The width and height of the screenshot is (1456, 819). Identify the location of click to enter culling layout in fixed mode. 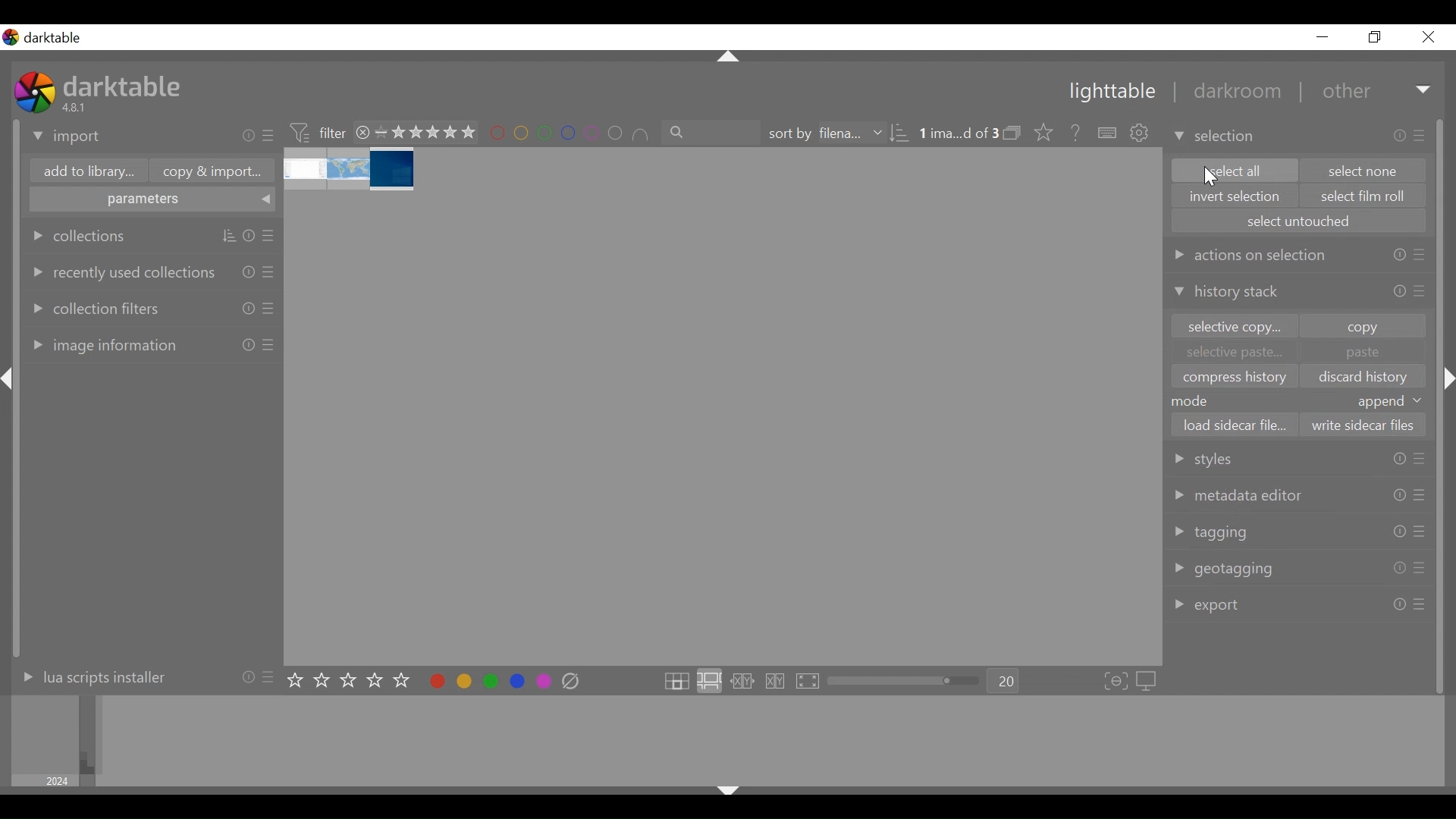
(743, 682).